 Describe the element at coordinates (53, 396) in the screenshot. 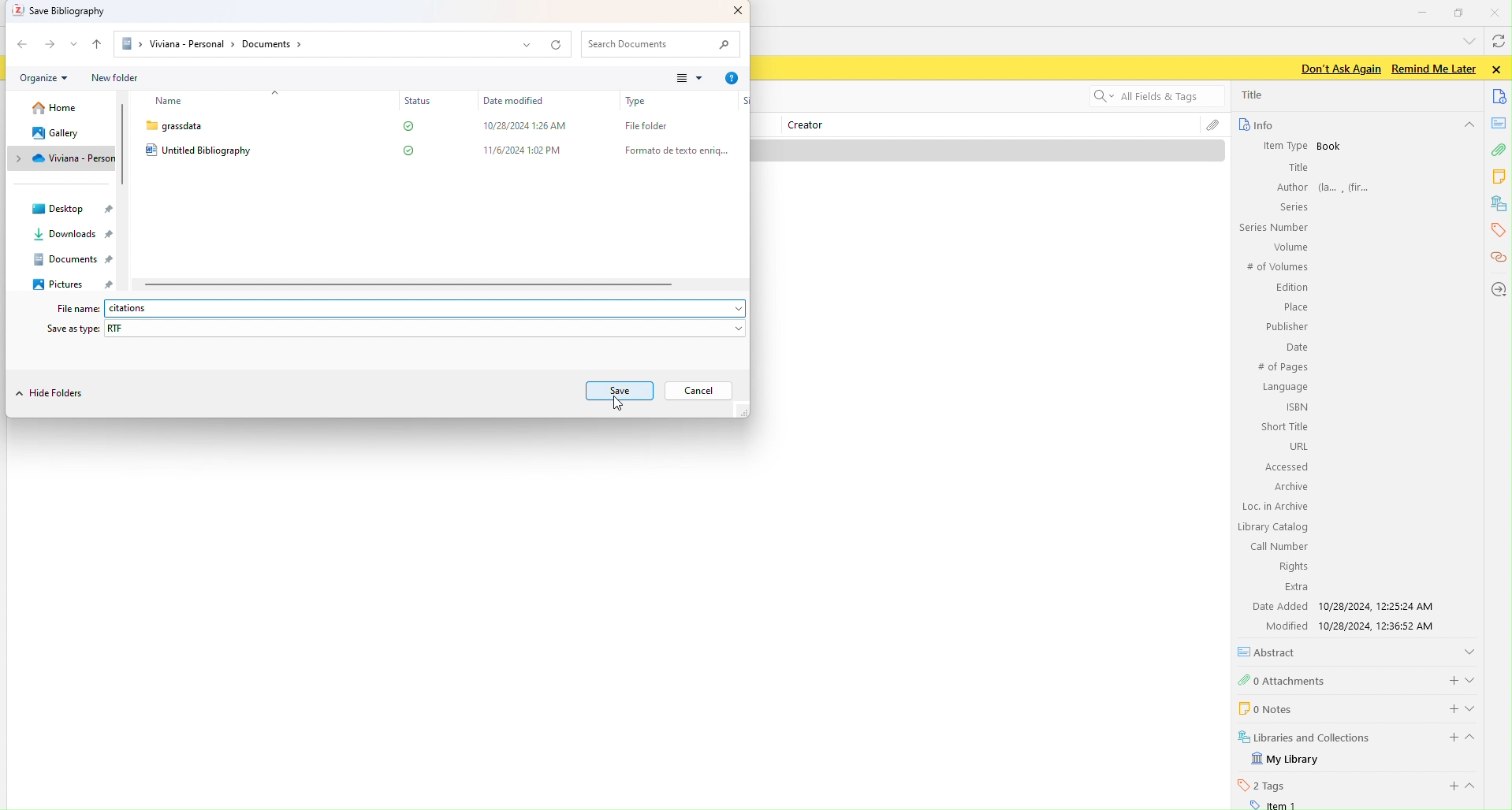

I see `Hide Folders` at that location.